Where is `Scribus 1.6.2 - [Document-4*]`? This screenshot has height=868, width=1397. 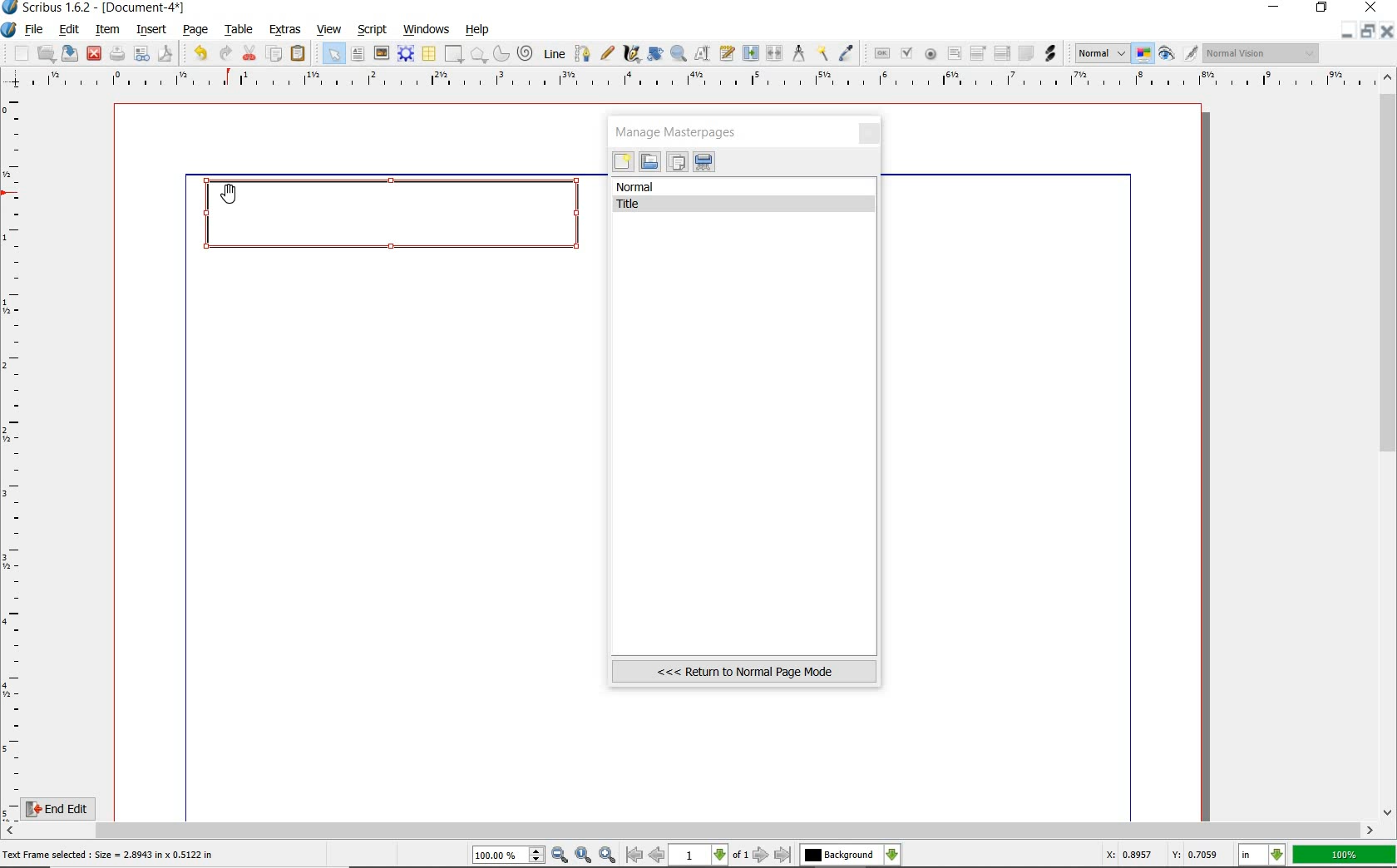
Scribus 1.6.2 - [Document-4*] is located at coordinates (95, 8).